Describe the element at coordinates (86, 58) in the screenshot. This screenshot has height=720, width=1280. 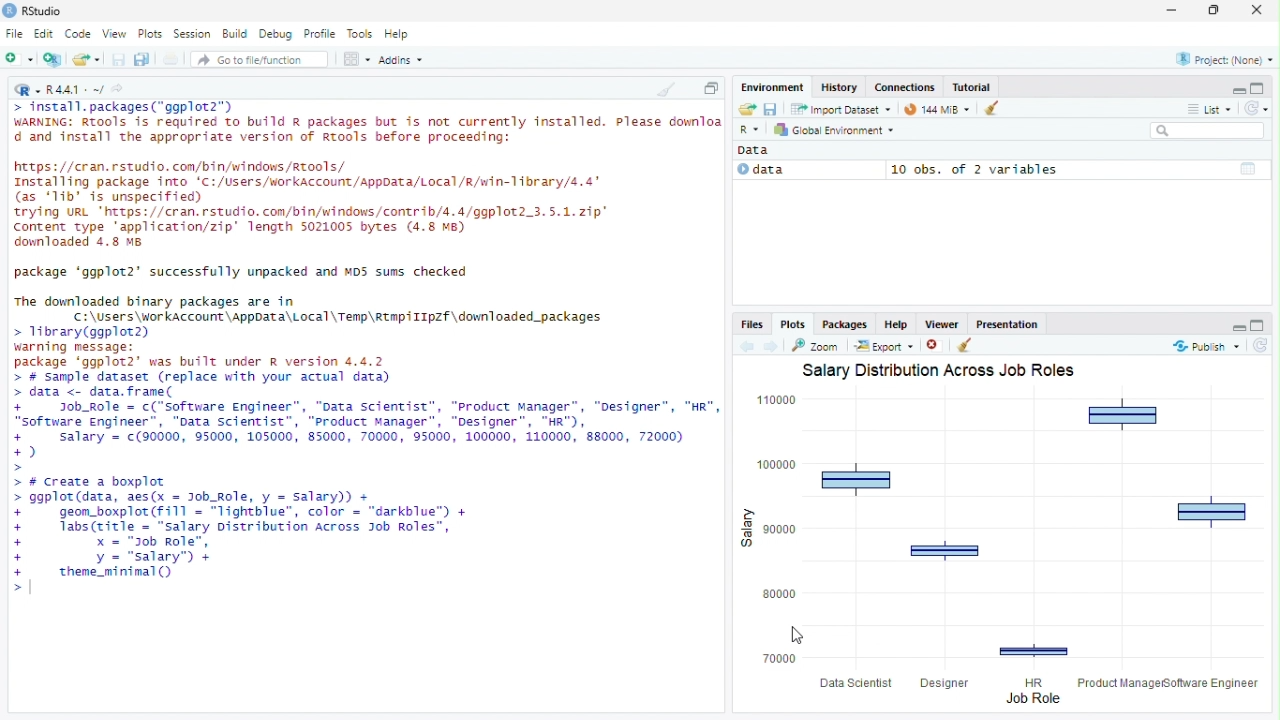
I see `Open an existing file` at that location.